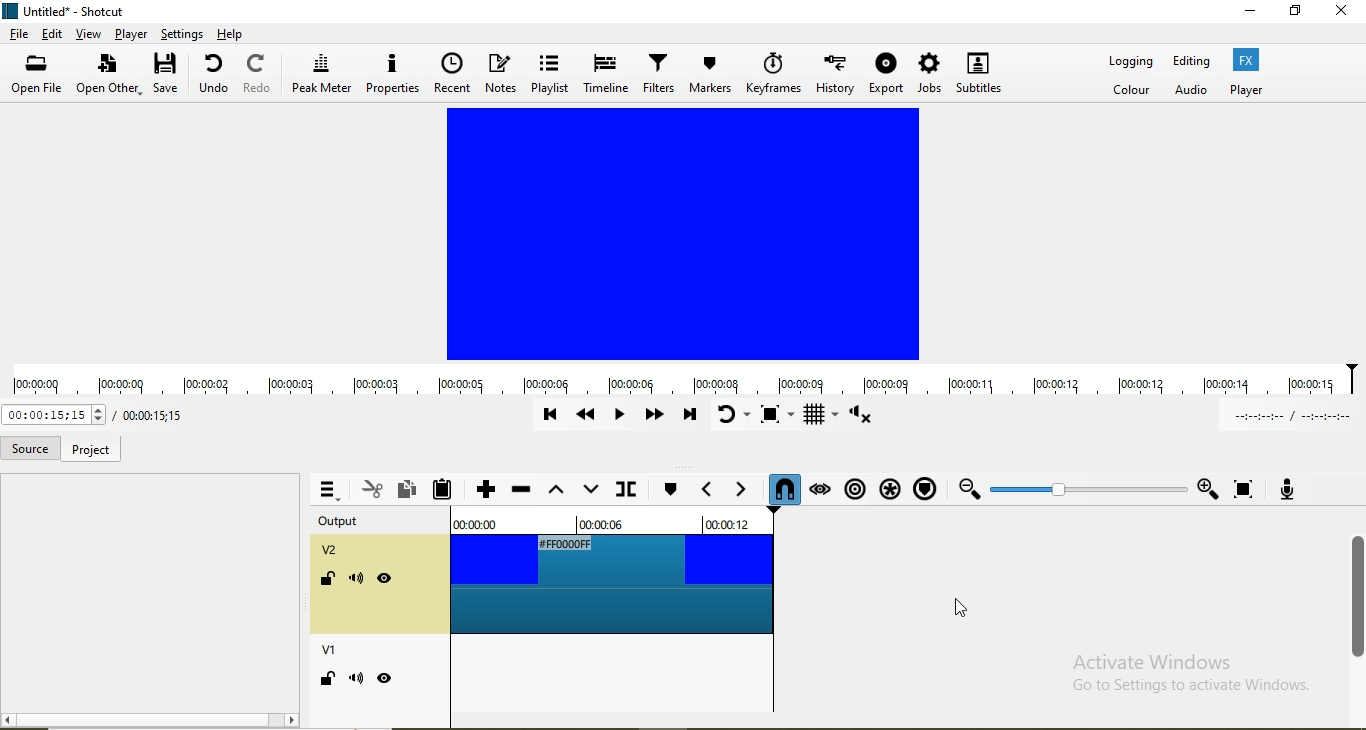 This screenshot has width=1366, height=730. I want to click on project, so click(89, 451).